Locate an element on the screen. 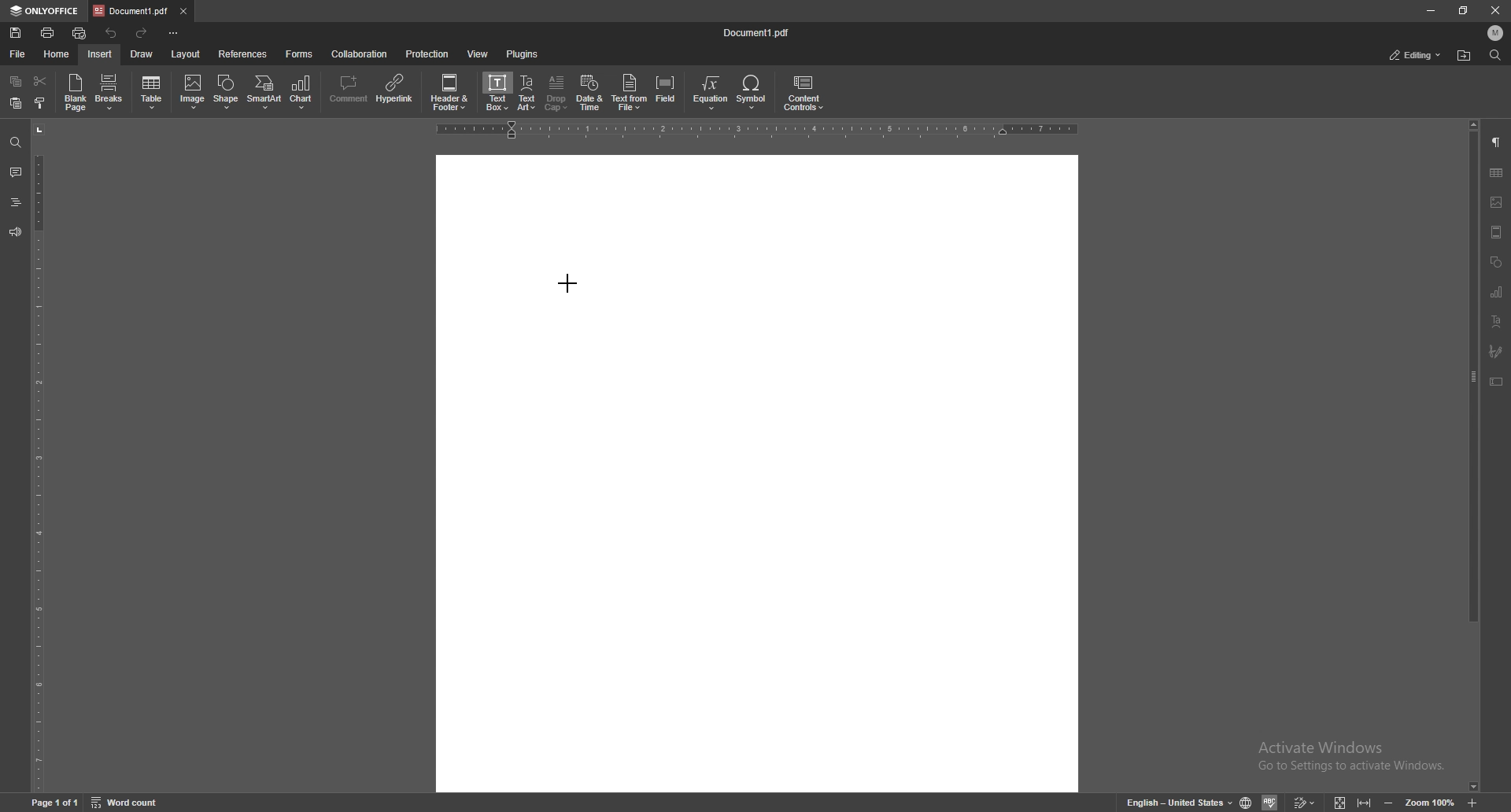 This screenshot has height=812, width=1511. chart is located at coordinates (304, 92).